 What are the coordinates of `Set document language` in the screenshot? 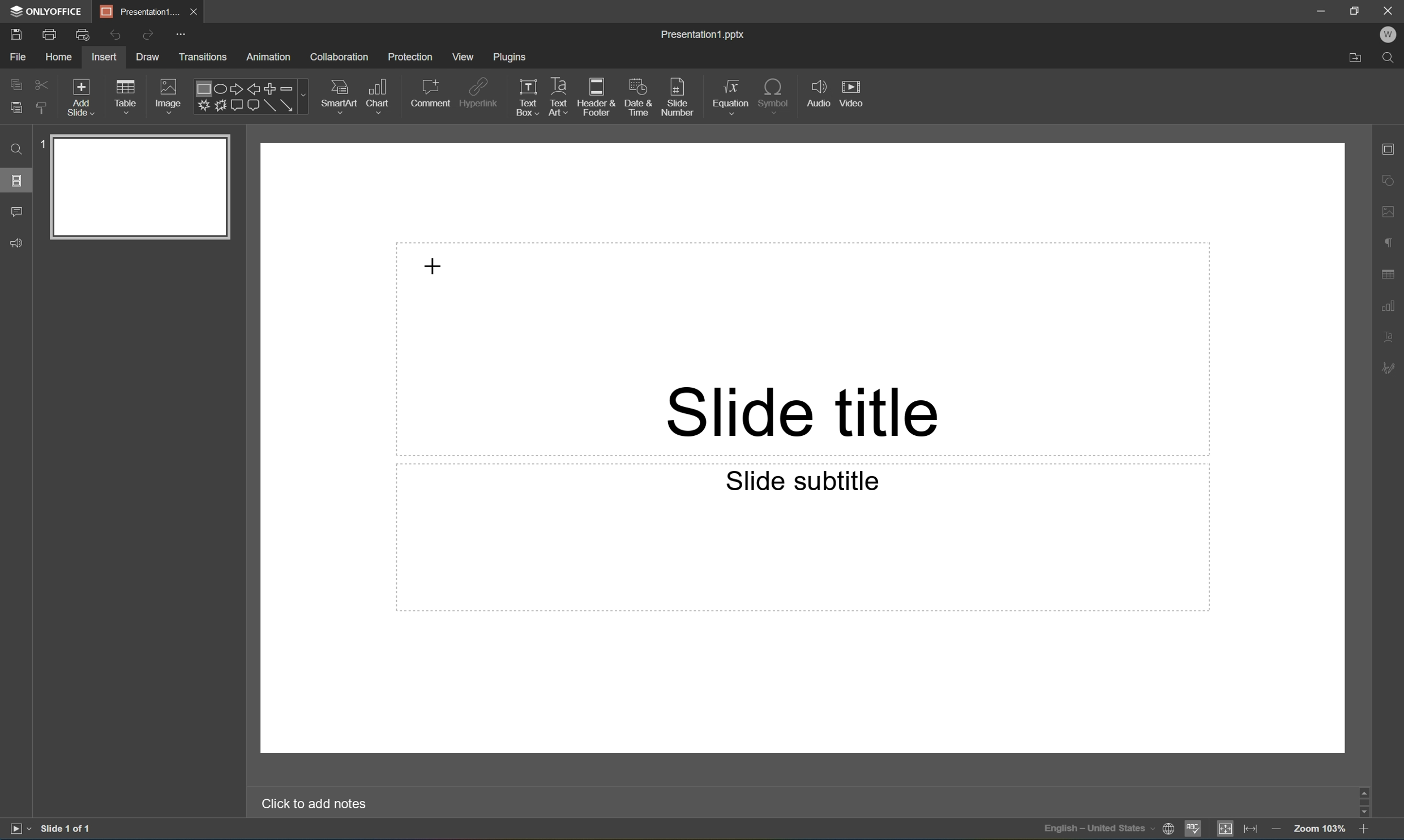 It's located at (1169, 830).